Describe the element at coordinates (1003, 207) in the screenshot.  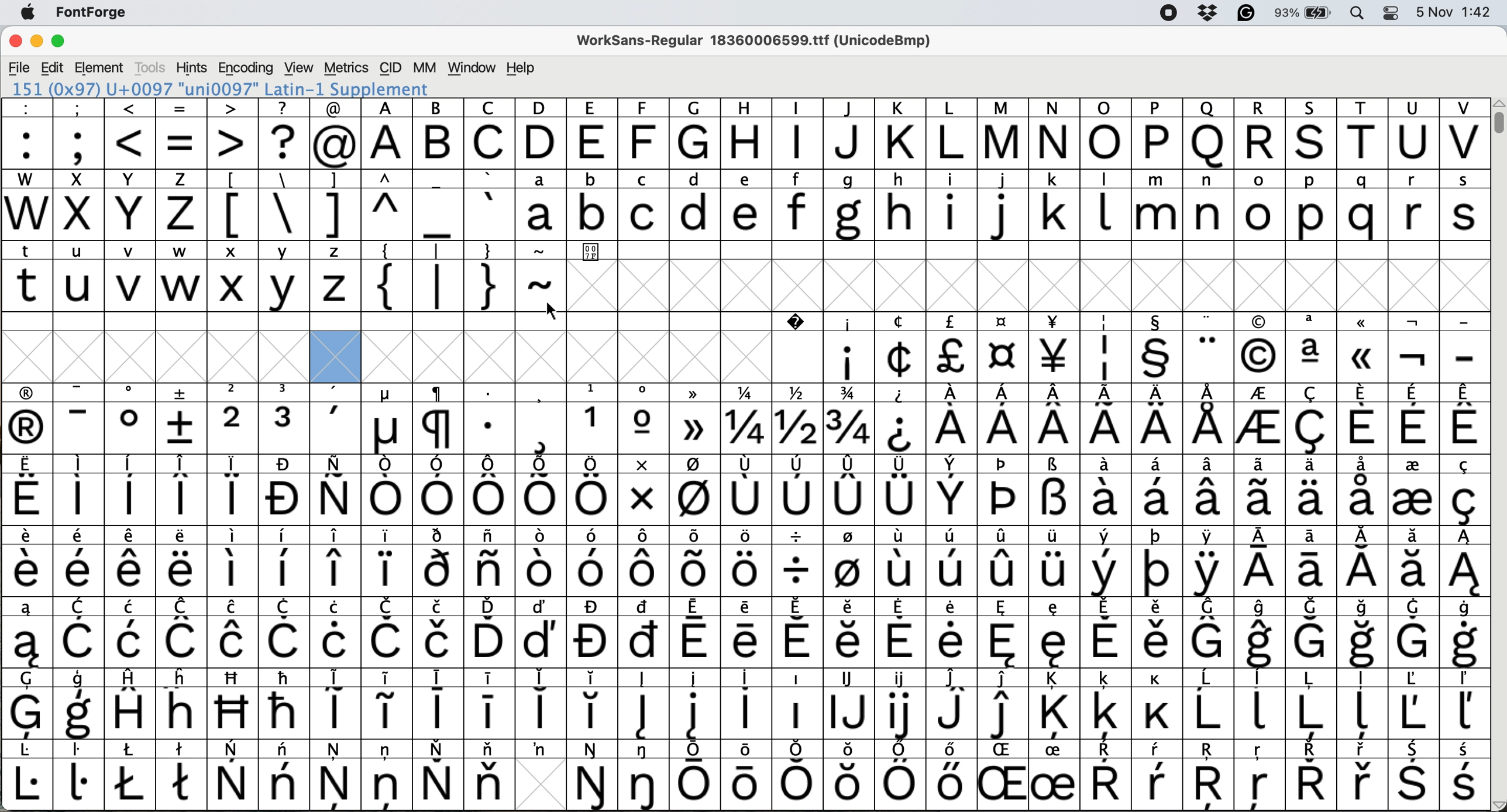
I see `j` at that location.